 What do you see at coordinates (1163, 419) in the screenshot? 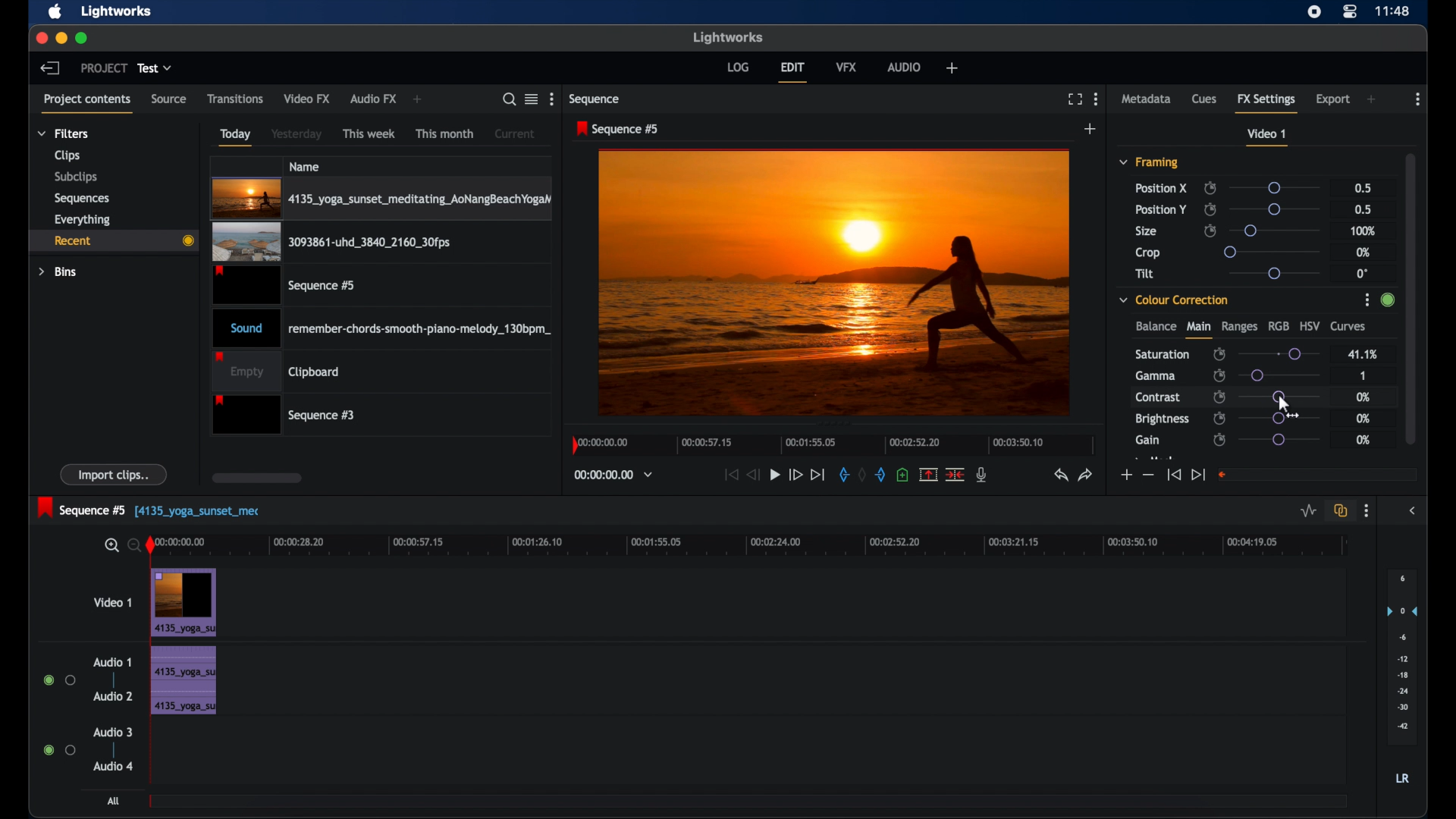
I see `brightness` at bounding box center [1163, 419].